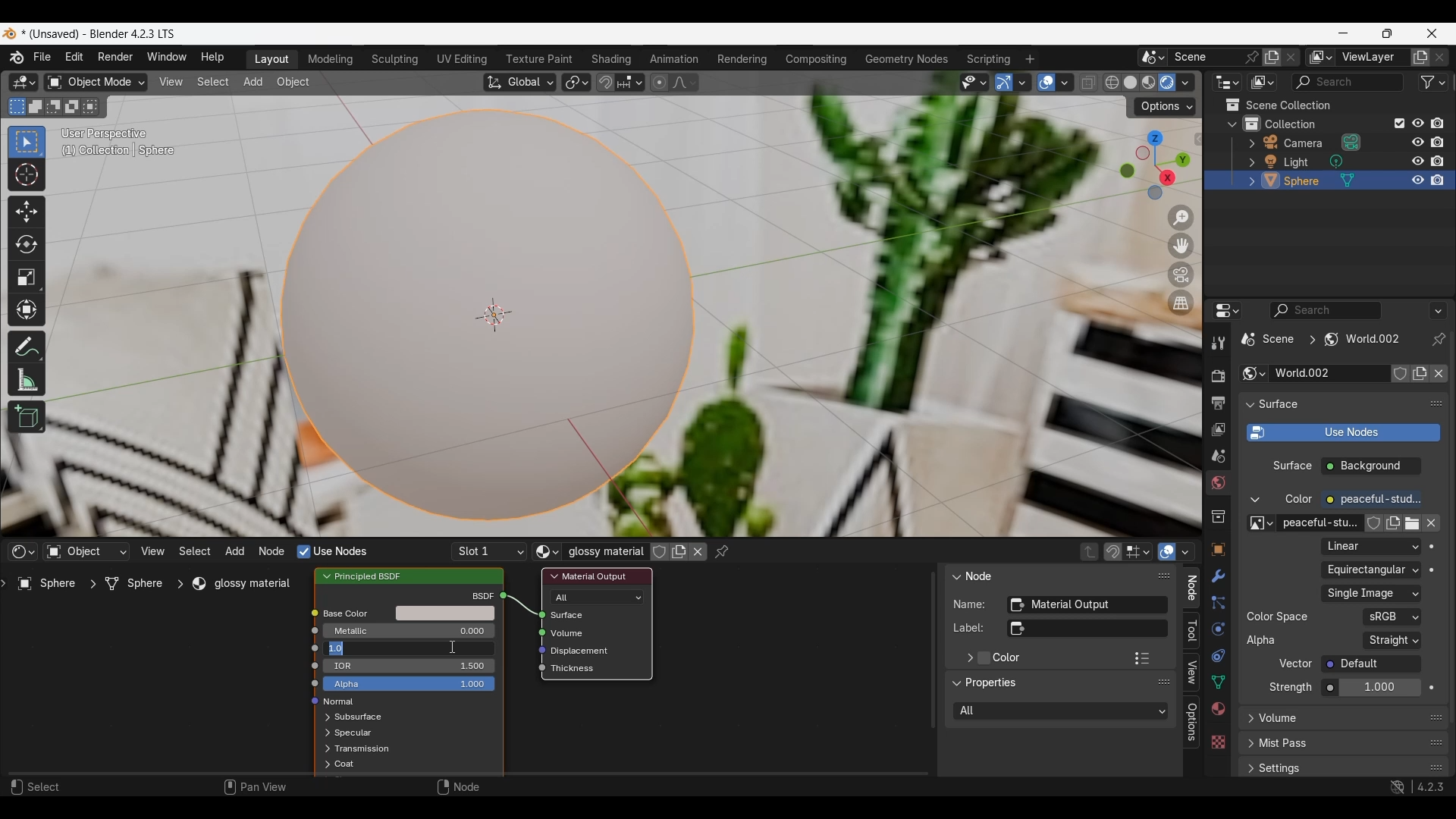 This screenshot has height=819, width=1456. What do you see at coordinates (1320, 57) in the screenshot?
I see `Active workspace view` at bounding box center [1320, 57].